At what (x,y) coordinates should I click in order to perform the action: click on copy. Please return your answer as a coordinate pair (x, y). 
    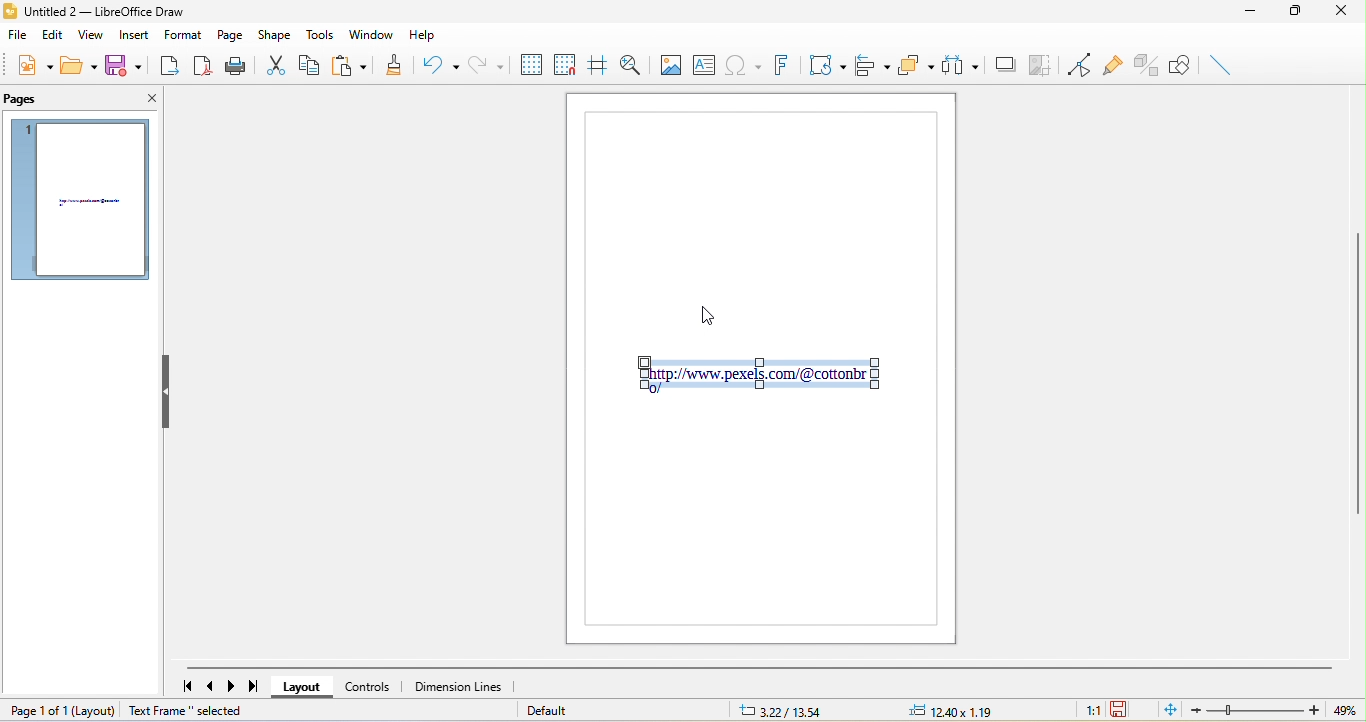
    Looking at the image, I should click on (304, 65).